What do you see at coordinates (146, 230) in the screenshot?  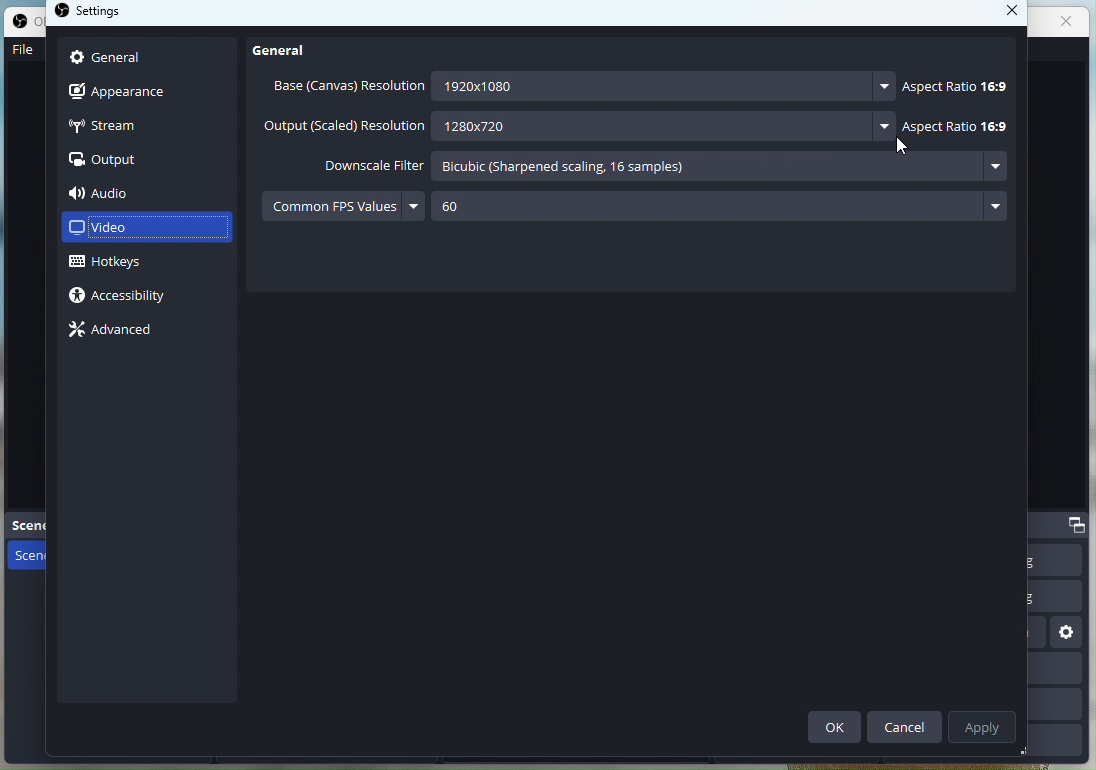 I see `Video` at bounding box center [146, 230].